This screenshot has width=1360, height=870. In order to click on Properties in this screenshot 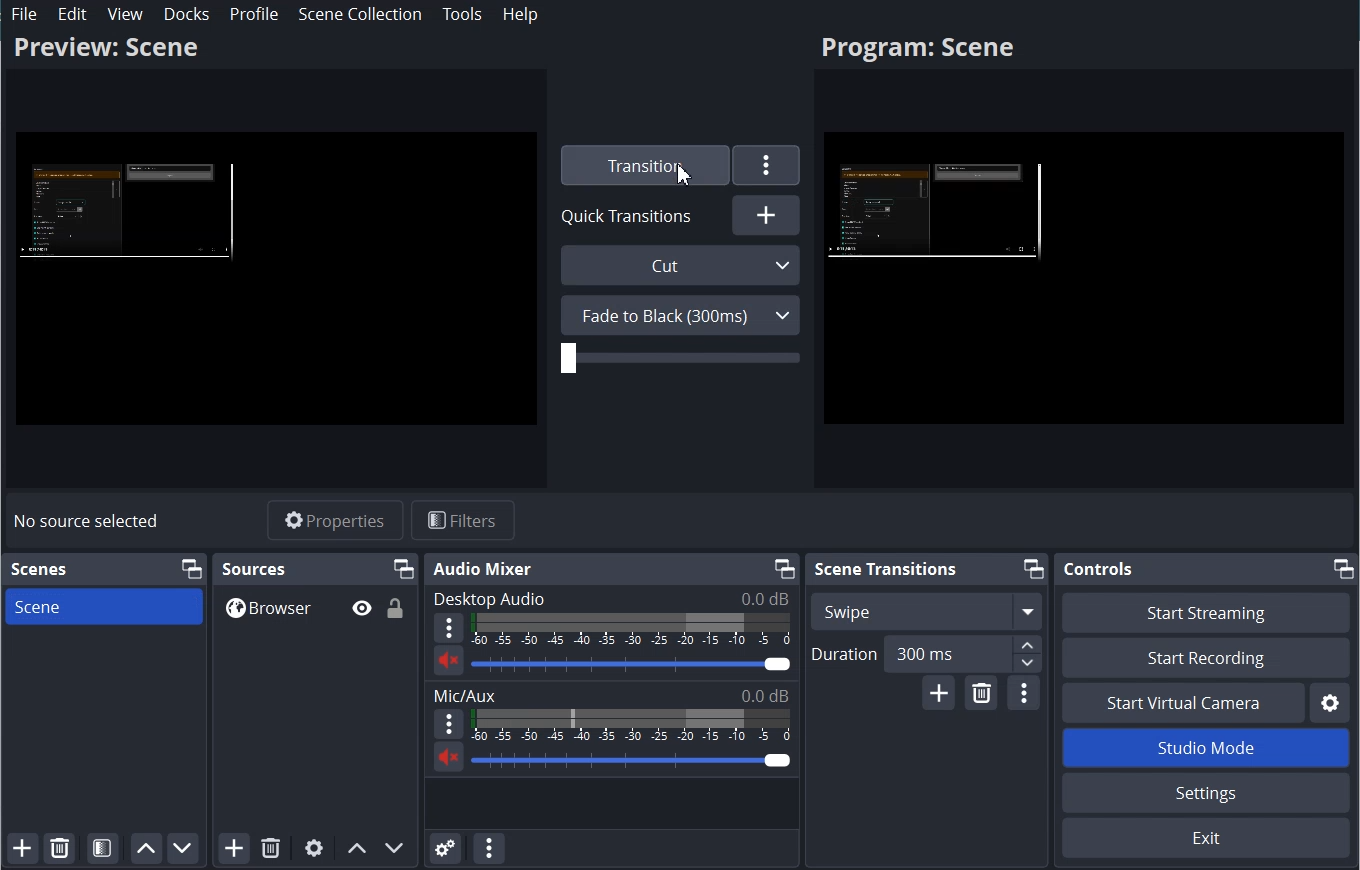, I will do `click(335, 520)`.